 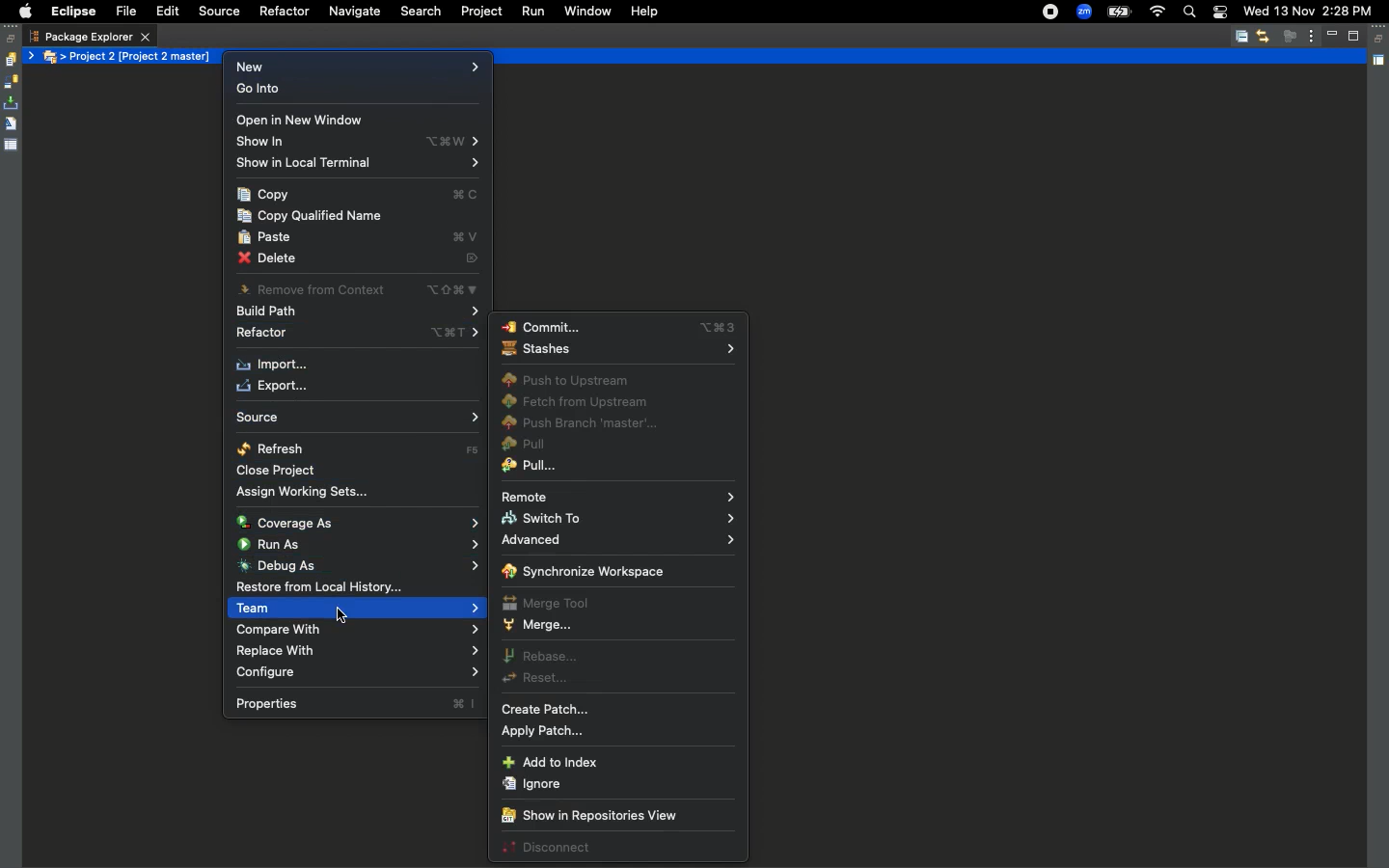 What do you see at coordinates (617, 496) in the screenshot?
I see `Remote` at bounding box center [617, 496].